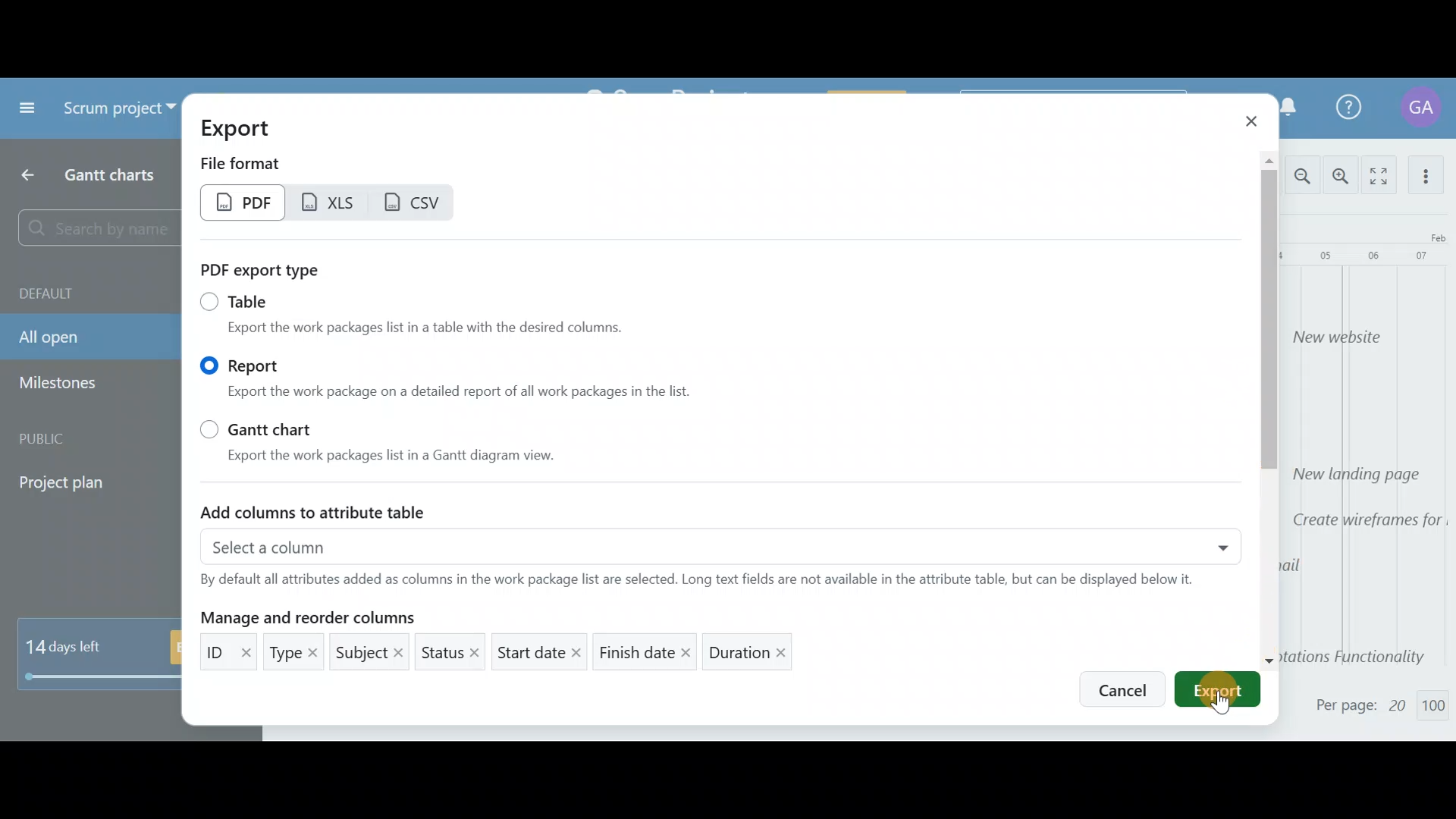  Describe the element at coordinates (324, 205) in the screenshot. I see `XLS` at that location.